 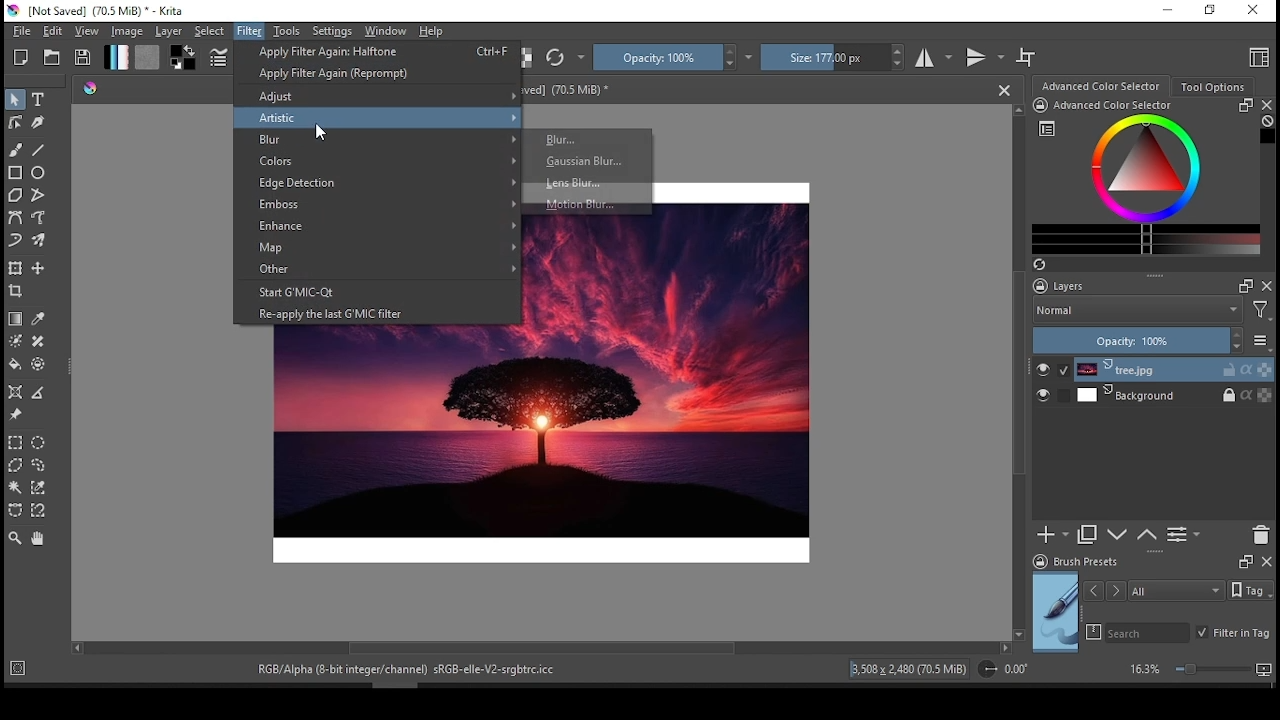 I want to click on more options, so click(x=1262, y=341).